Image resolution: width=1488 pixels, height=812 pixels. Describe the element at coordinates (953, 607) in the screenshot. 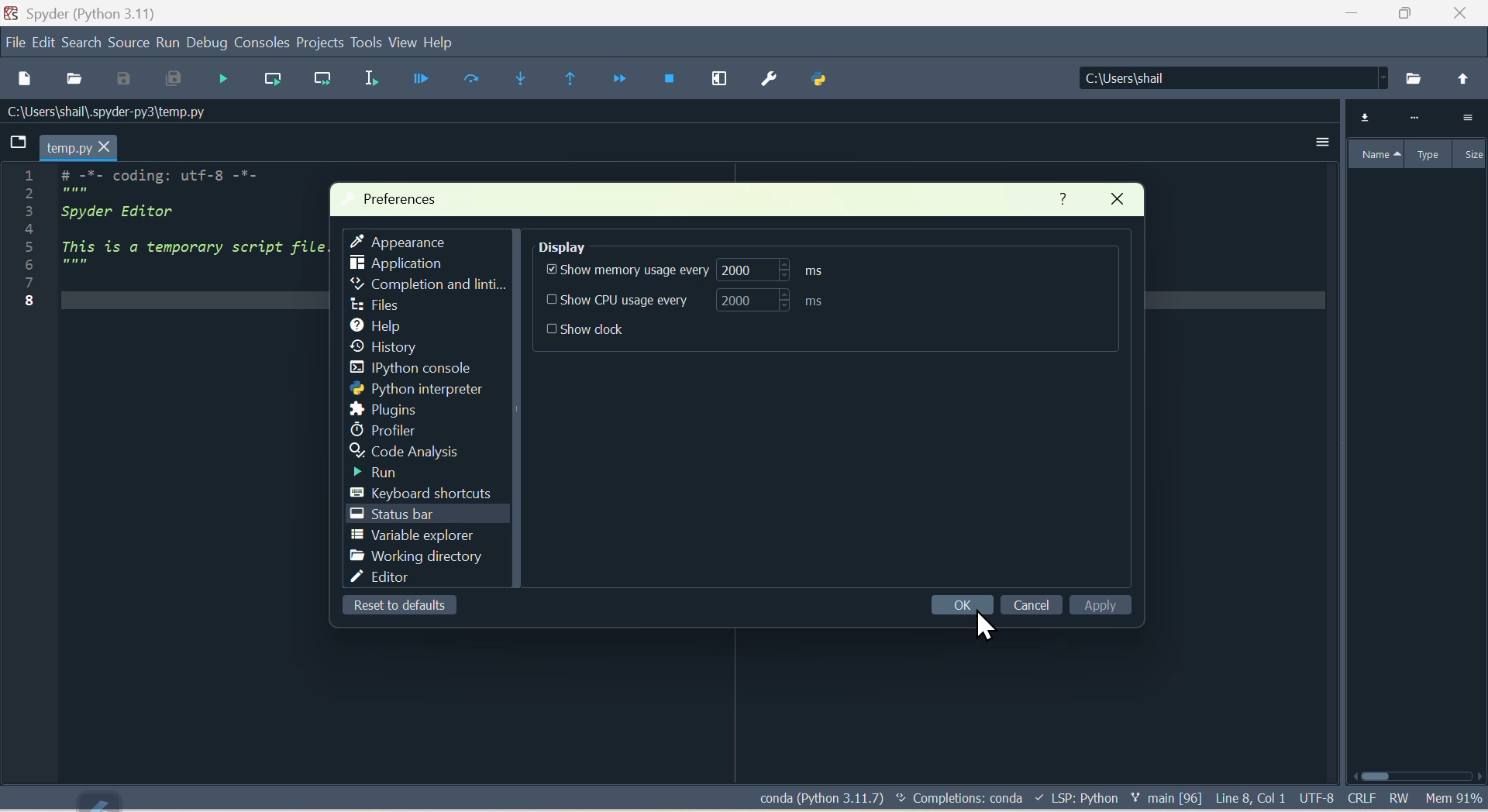

I see `OK` at that location.